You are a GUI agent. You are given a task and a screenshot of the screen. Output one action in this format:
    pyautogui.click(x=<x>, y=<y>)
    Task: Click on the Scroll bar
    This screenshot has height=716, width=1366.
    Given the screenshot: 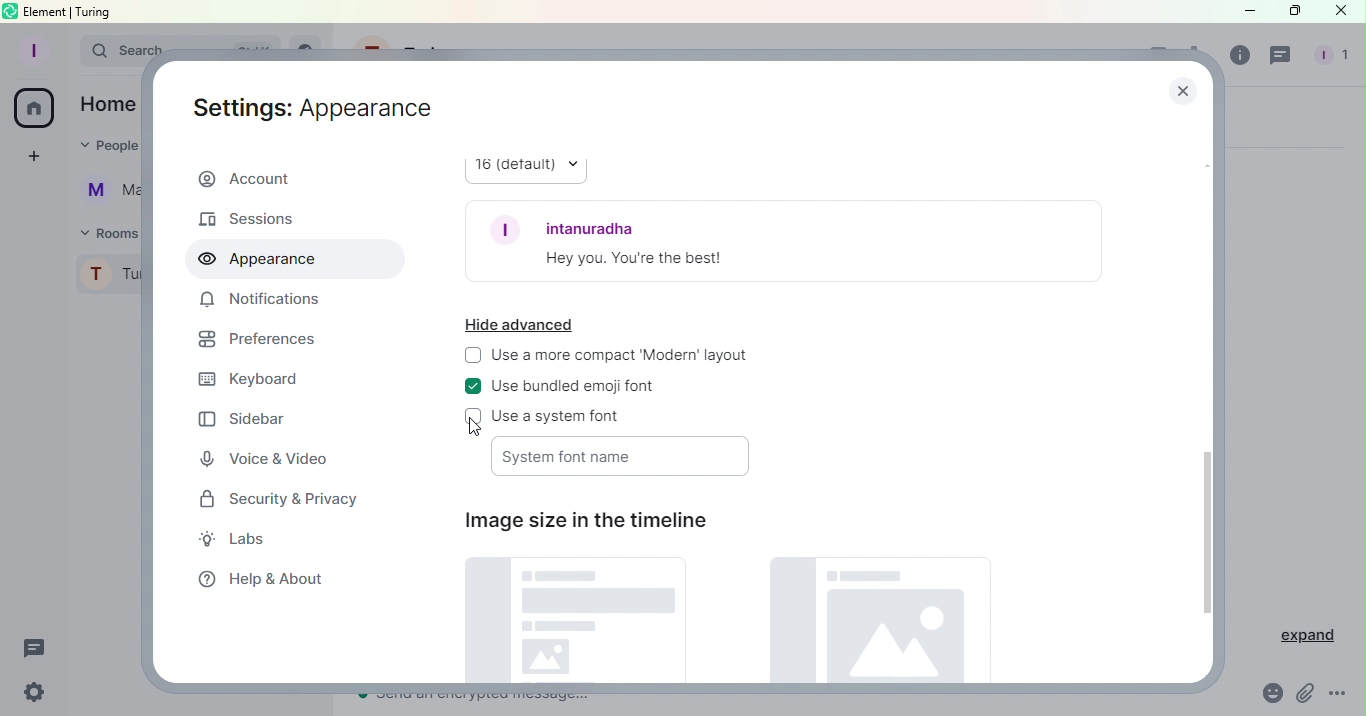 What is the action you would take?
    pyautogui.click(x=1209, y=389)
    